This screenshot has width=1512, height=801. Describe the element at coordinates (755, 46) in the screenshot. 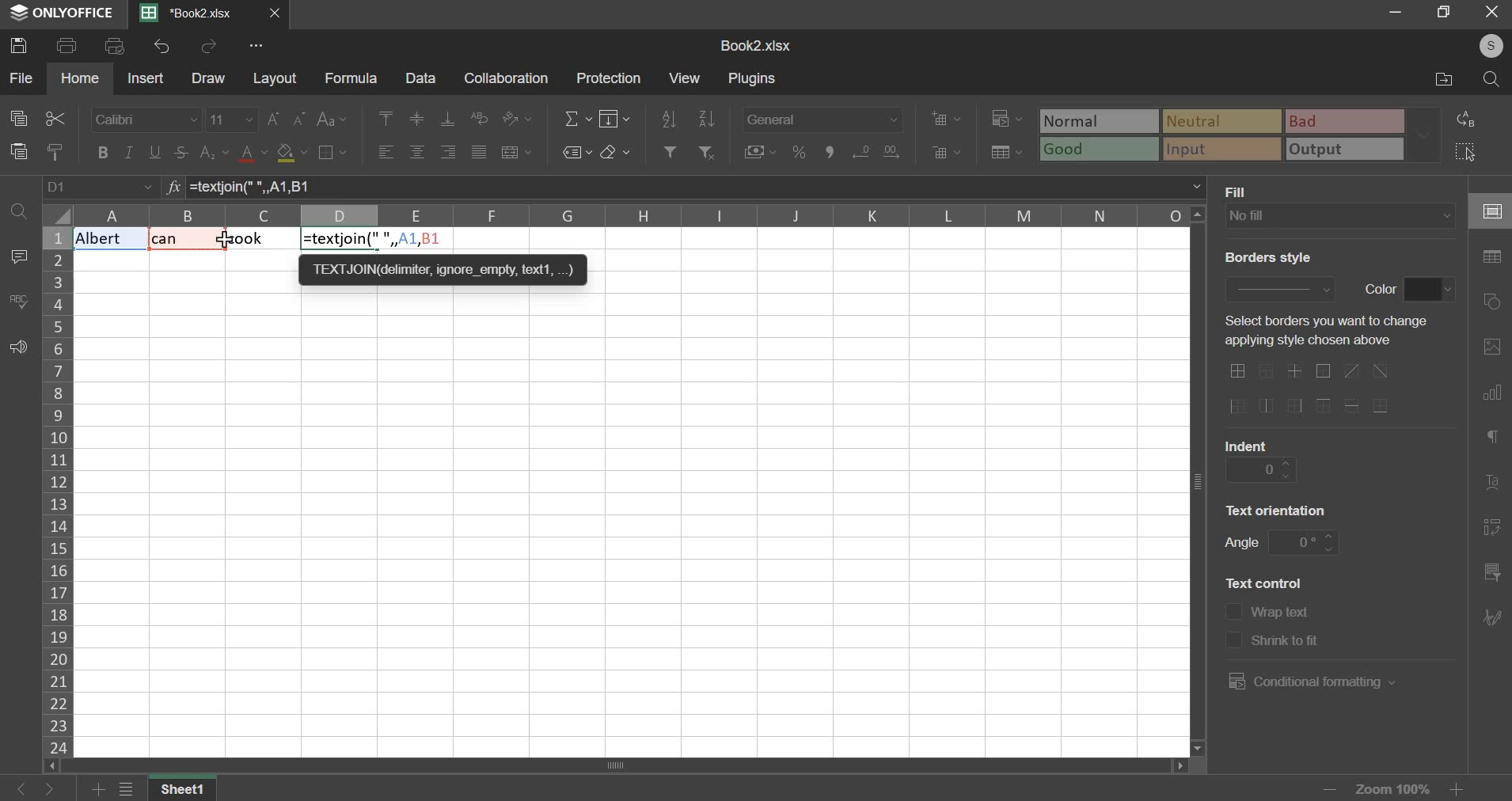

I see `spreadsheet name` at that location.